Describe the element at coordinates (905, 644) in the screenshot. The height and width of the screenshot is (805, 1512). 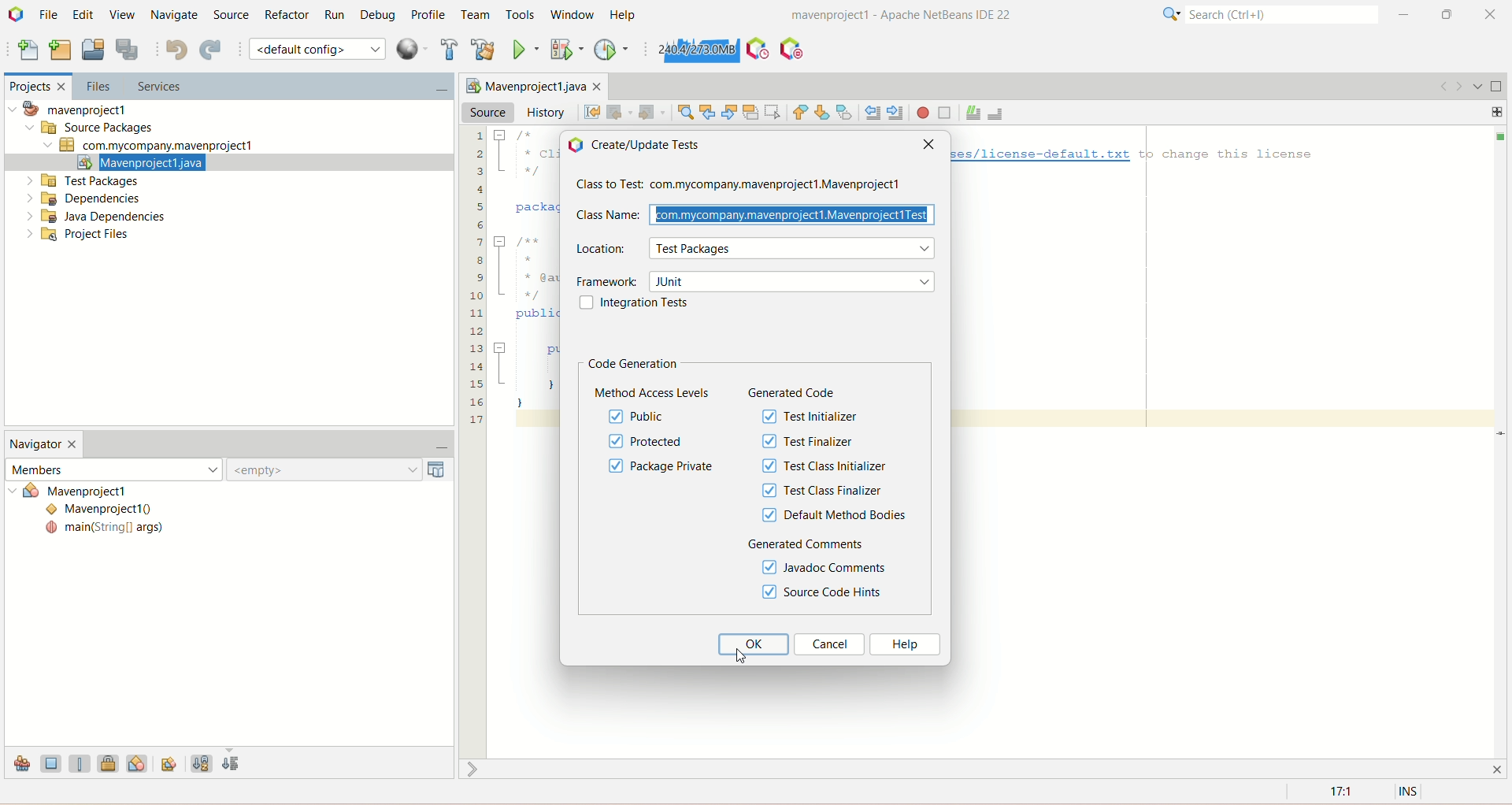
I see `help` at that location.